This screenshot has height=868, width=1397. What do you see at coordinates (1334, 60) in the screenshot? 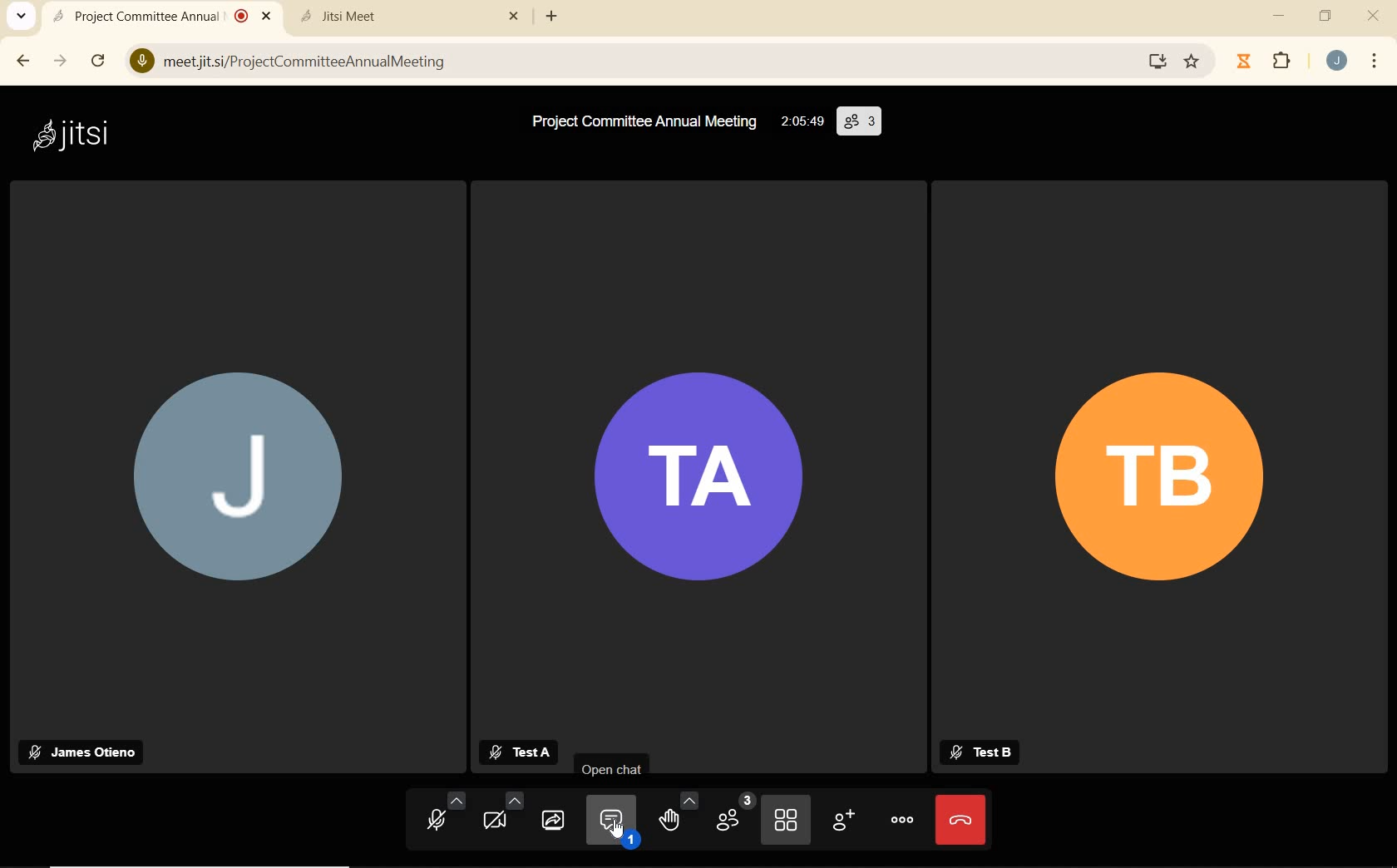
I see `account` at bounding box center [1334, 60].